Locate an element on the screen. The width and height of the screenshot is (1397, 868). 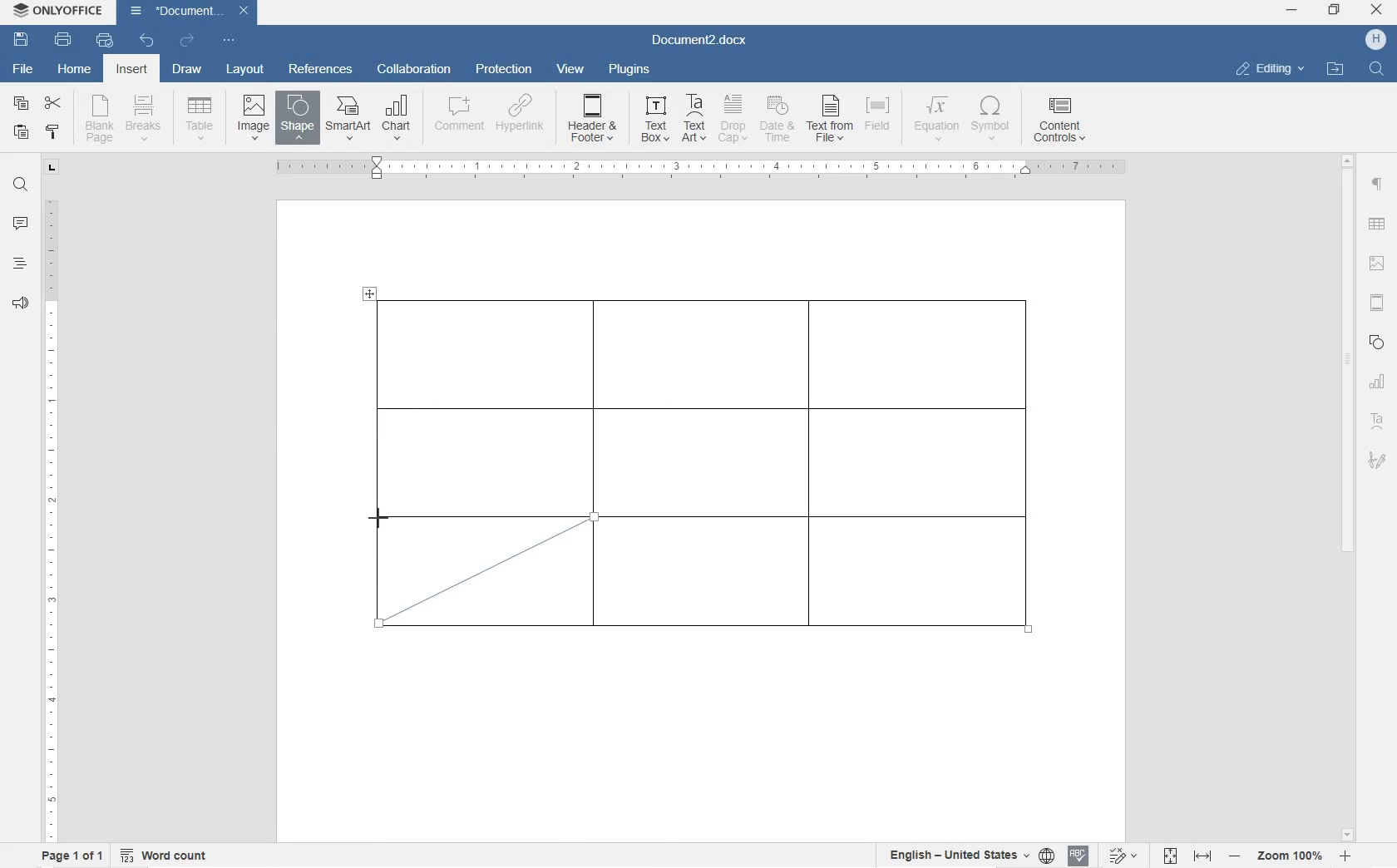
view is located at coordinates (573, 70).